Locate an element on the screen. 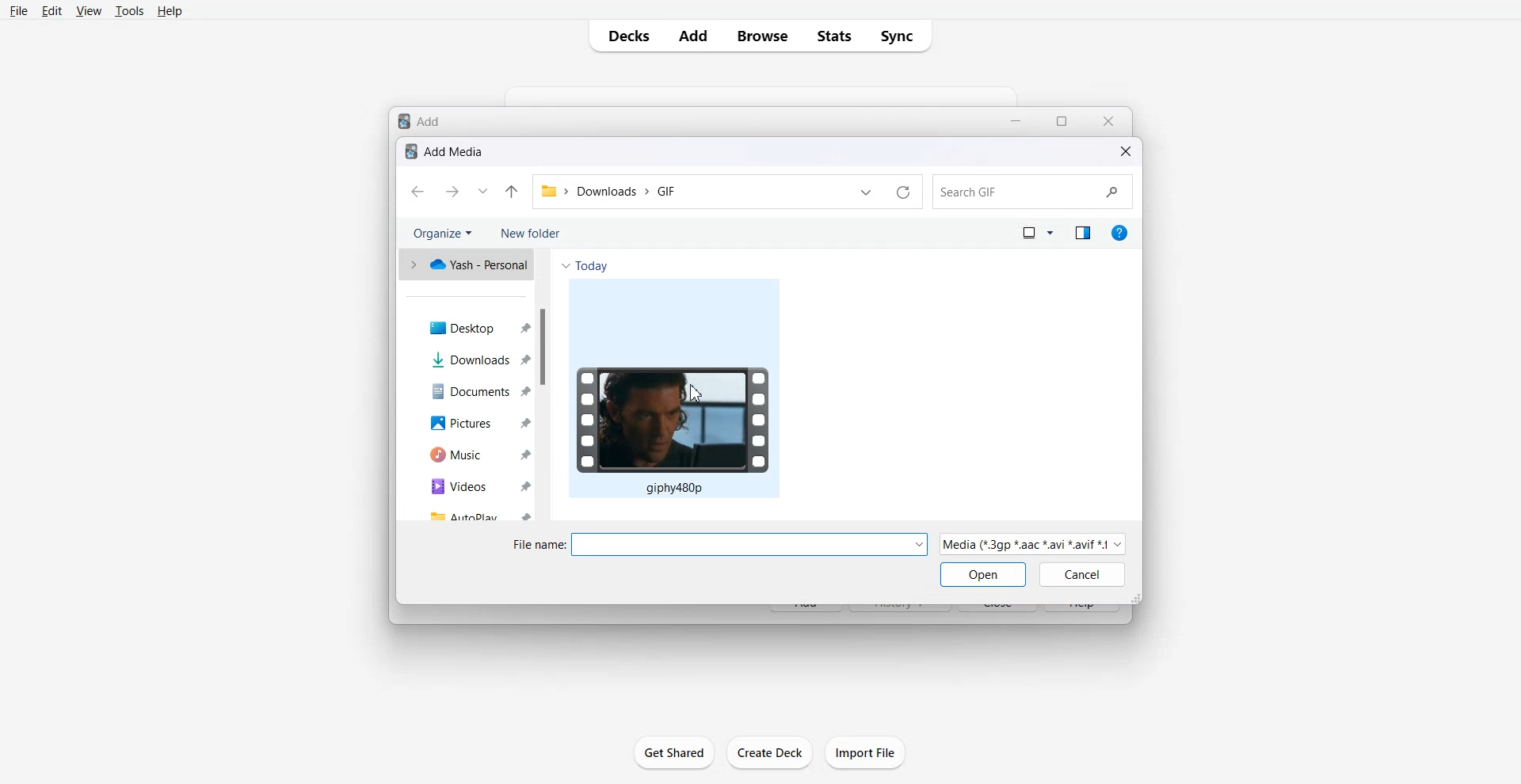  Search bar is located at coordinates (1034, 192).